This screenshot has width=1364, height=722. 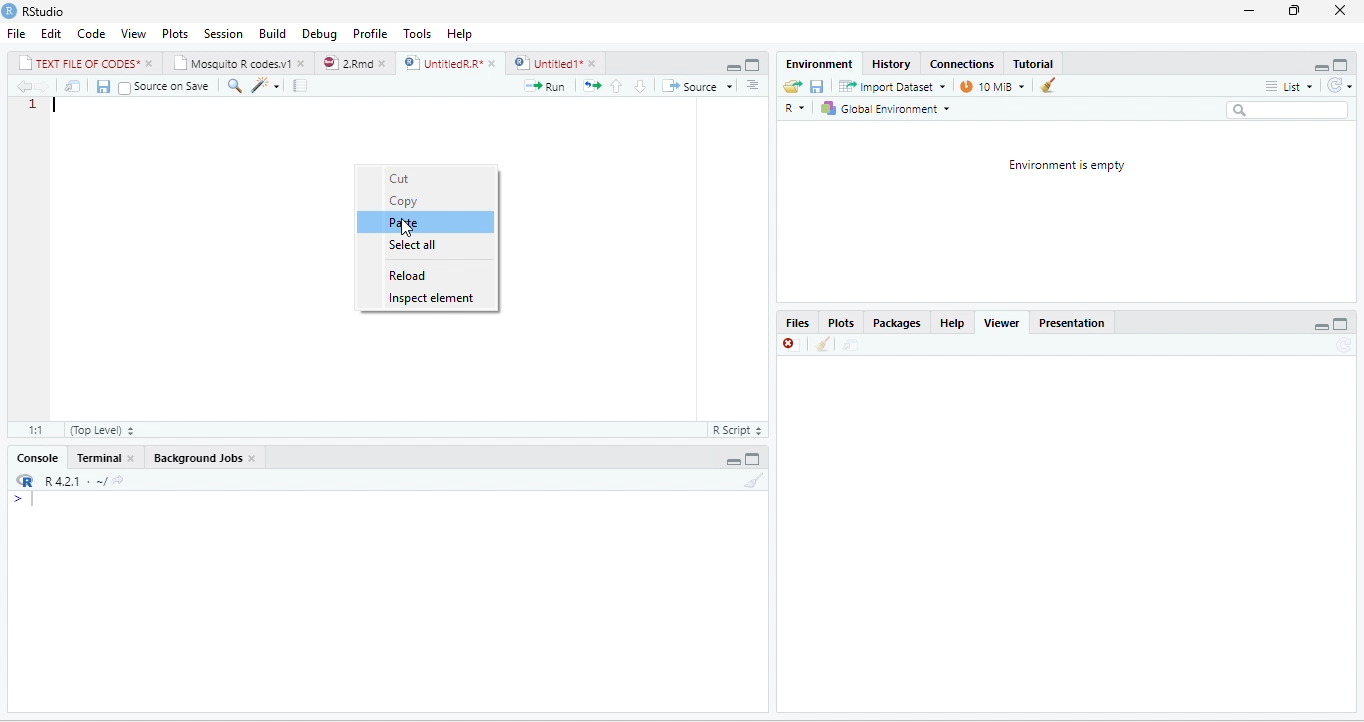 I want to click on Debug, so click(x=317, y=32).